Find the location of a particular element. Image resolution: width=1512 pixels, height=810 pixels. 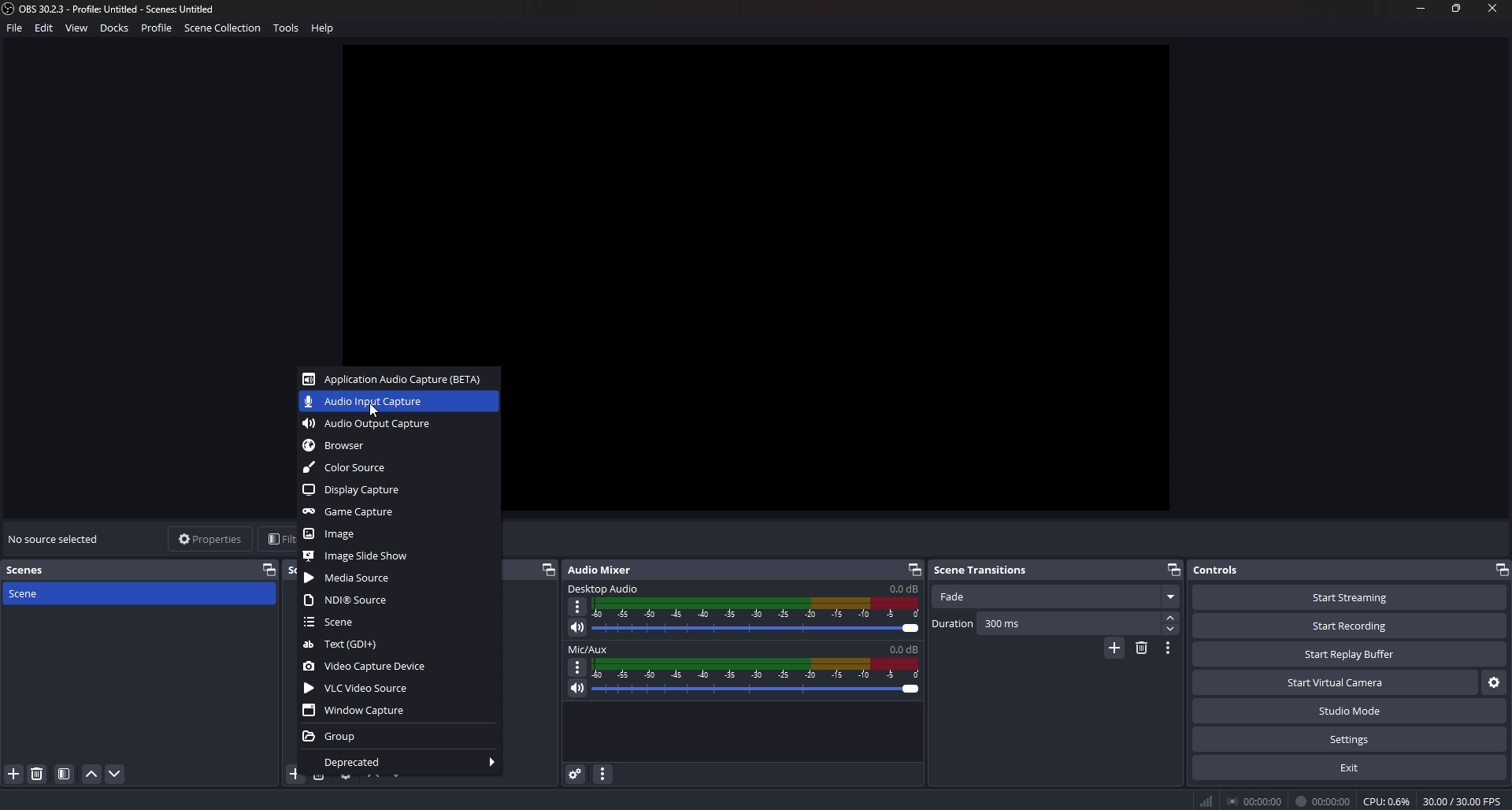

sources is located at coordinates (294, 570).